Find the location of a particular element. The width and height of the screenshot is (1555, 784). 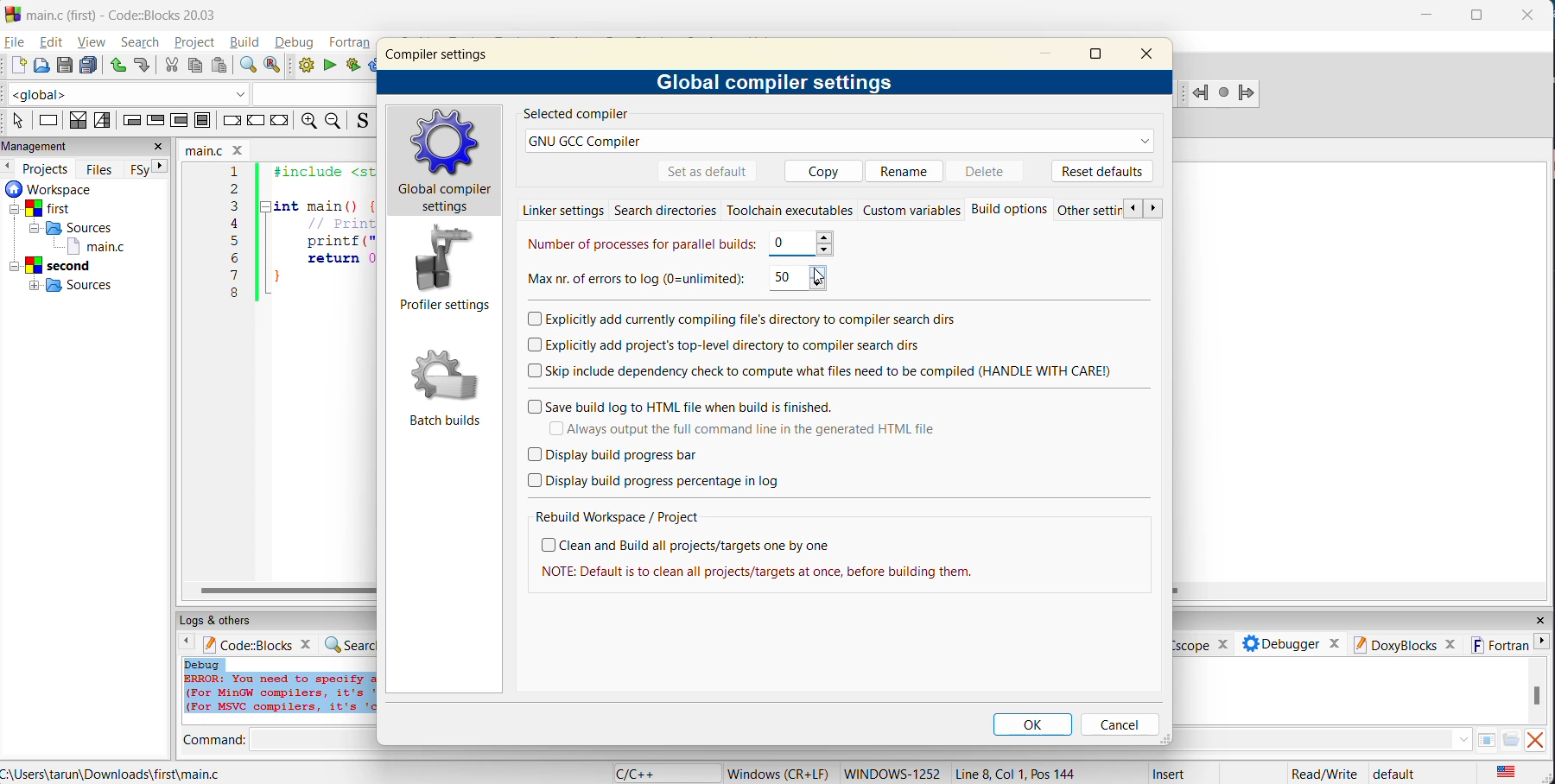

file is located at coordinates (16, 42).